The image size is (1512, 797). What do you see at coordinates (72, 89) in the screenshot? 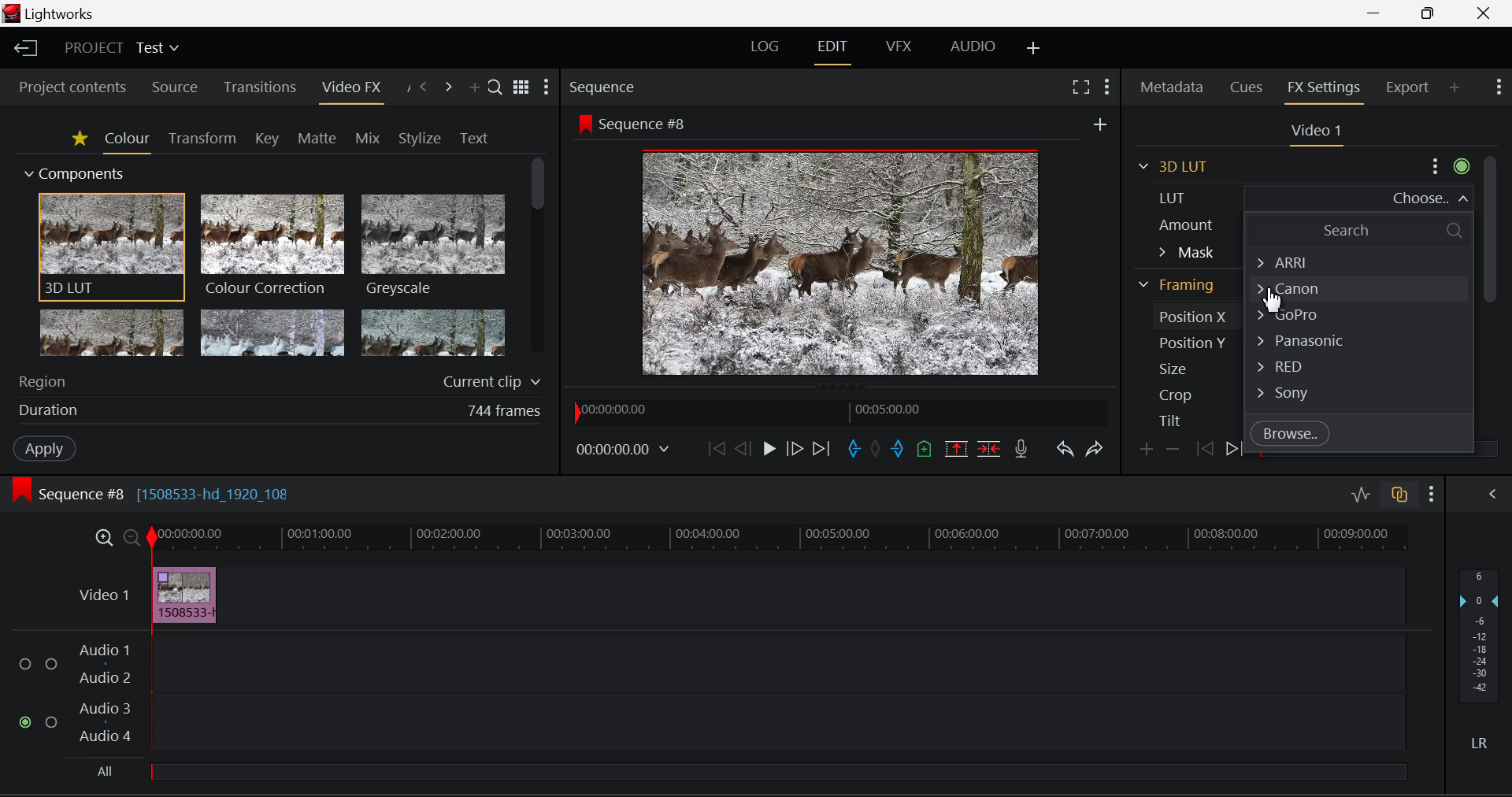
I see `Project contents` at bounding box center [72, 89].